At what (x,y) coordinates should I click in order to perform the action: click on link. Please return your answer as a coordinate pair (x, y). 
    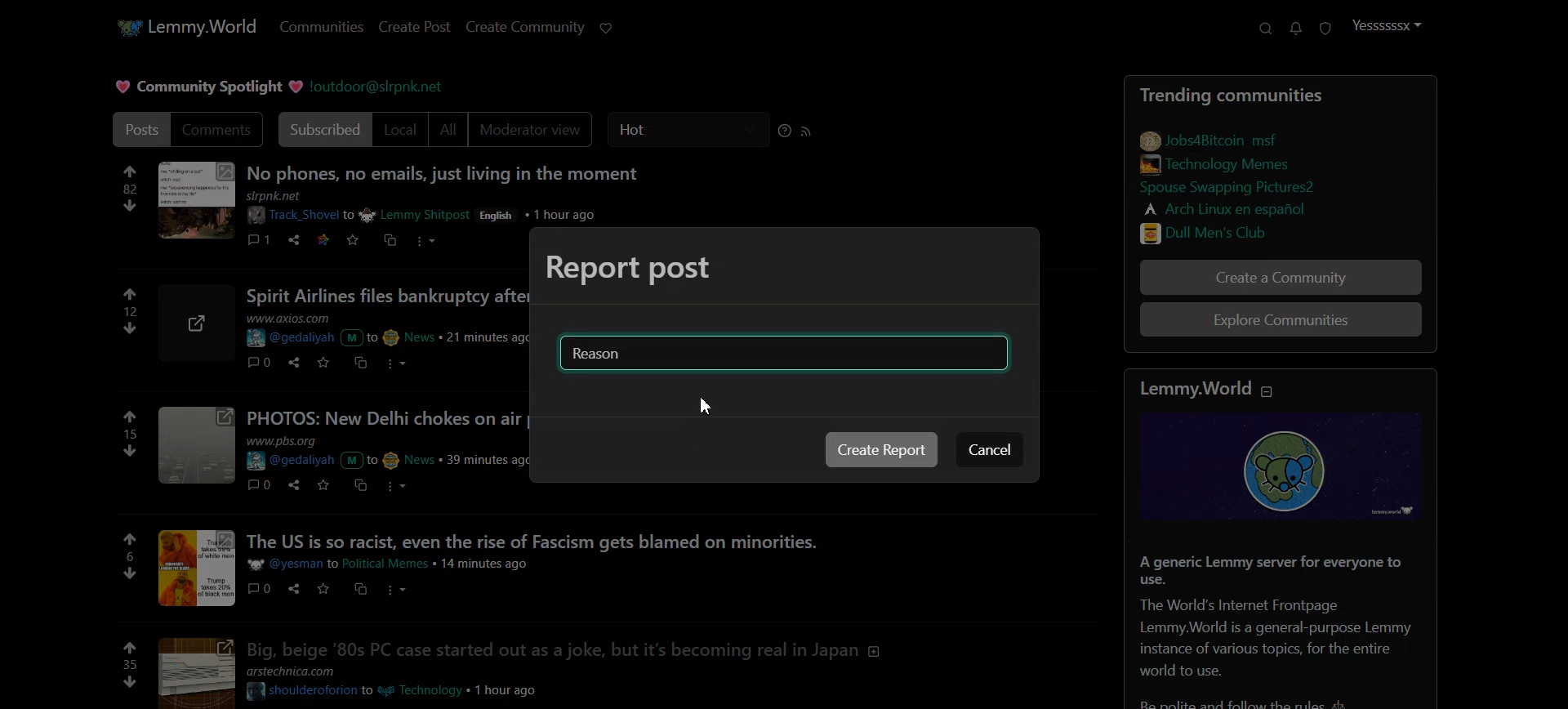
    Looking at the image, I should click on (1229, 207).